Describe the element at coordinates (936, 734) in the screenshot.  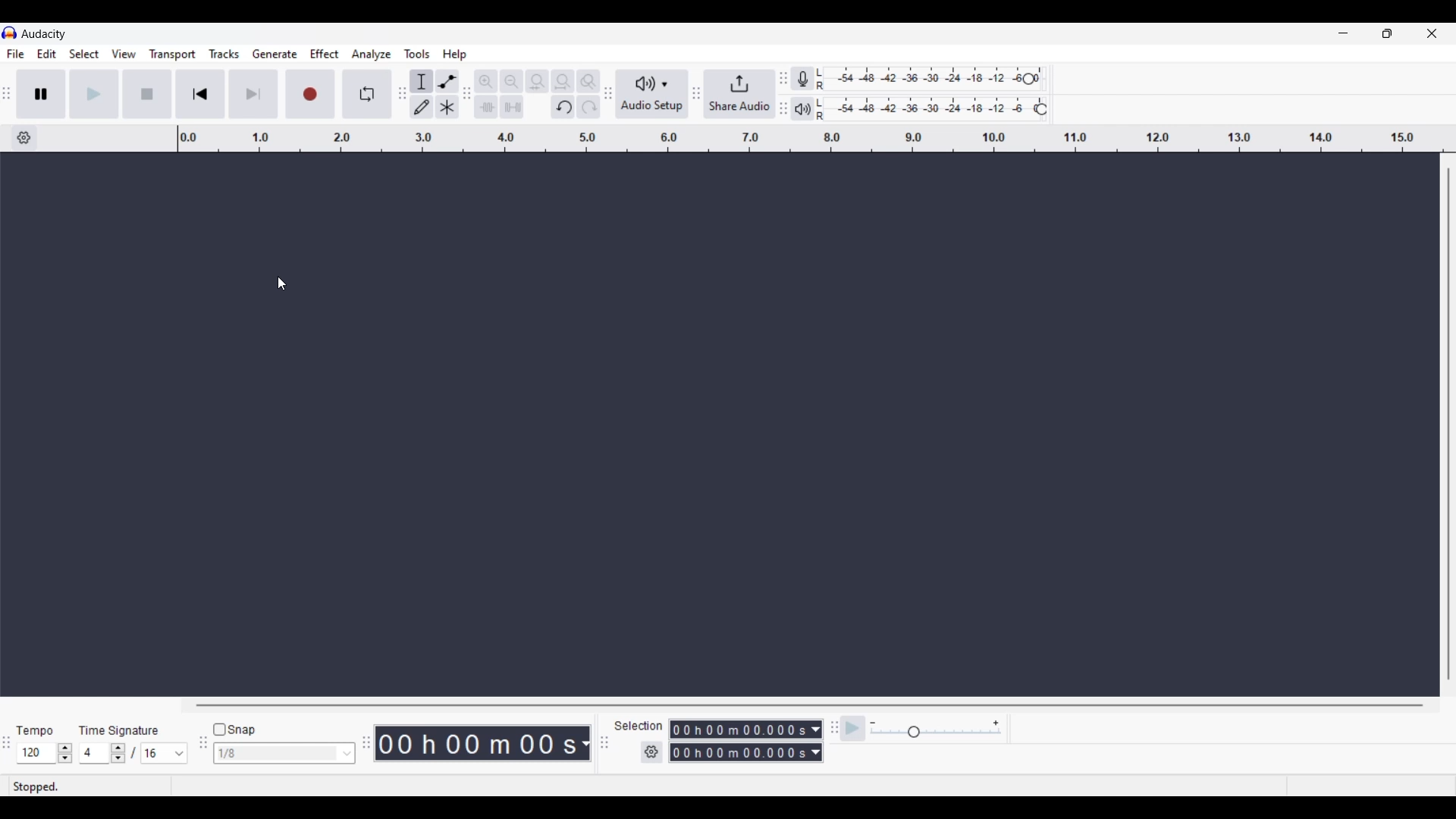
I see `Slider to change playback speed` at that location.